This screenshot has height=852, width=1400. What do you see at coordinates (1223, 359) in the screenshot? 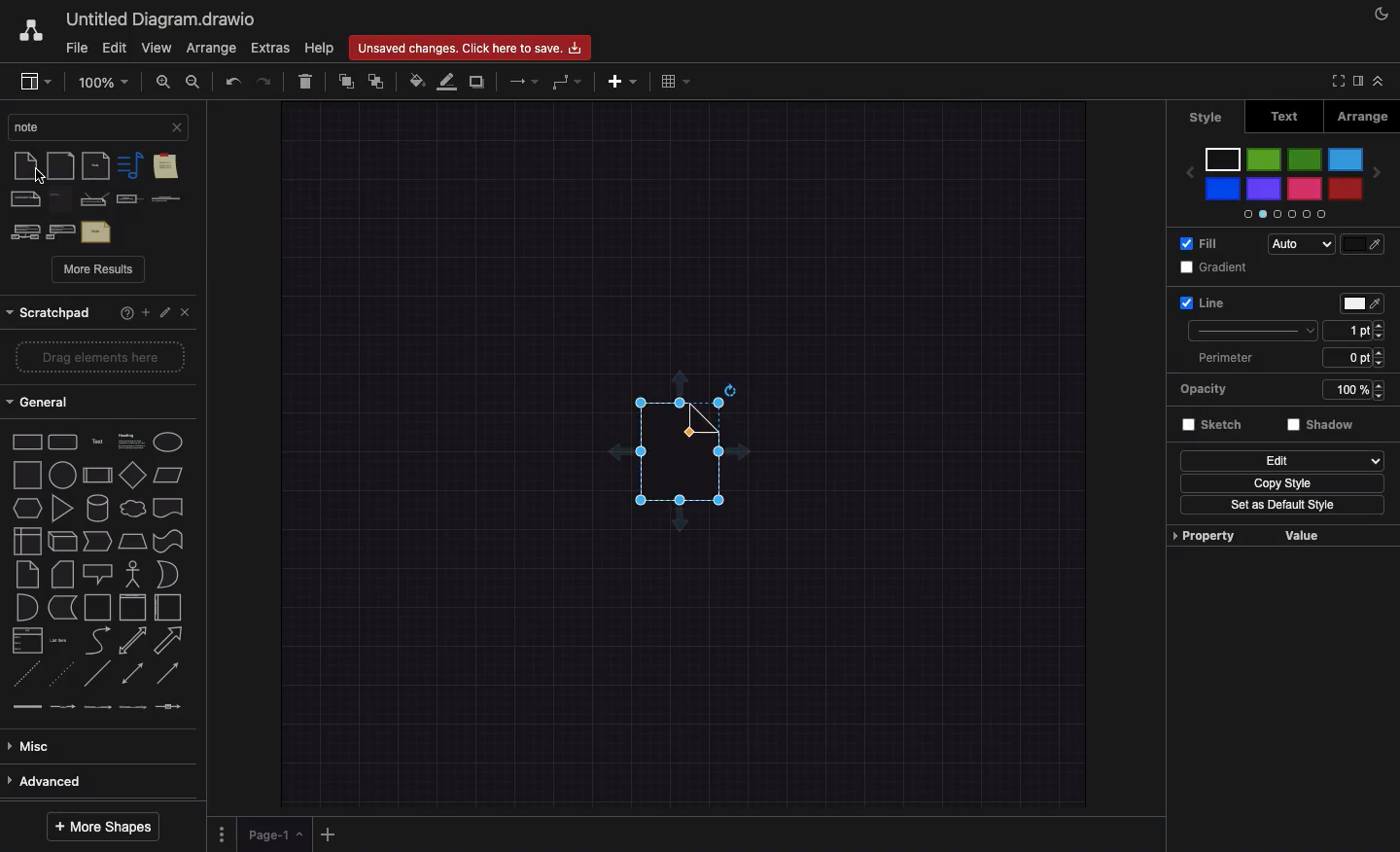
I see `Perimeter` at bounding box center [1223, 359].